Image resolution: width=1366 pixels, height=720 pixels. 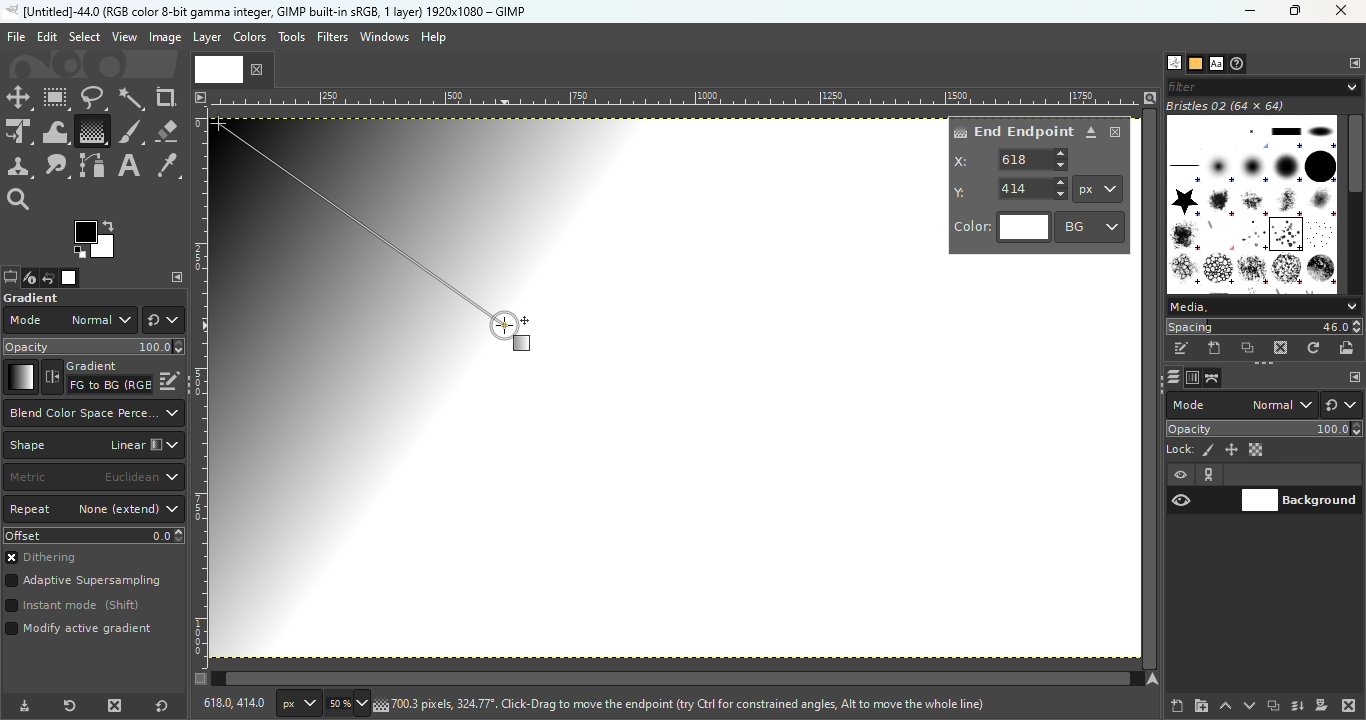 What do you see at coordinates (1242, 405) in the screenshot?
I see `Mode` at bounding box center [1242, 405].